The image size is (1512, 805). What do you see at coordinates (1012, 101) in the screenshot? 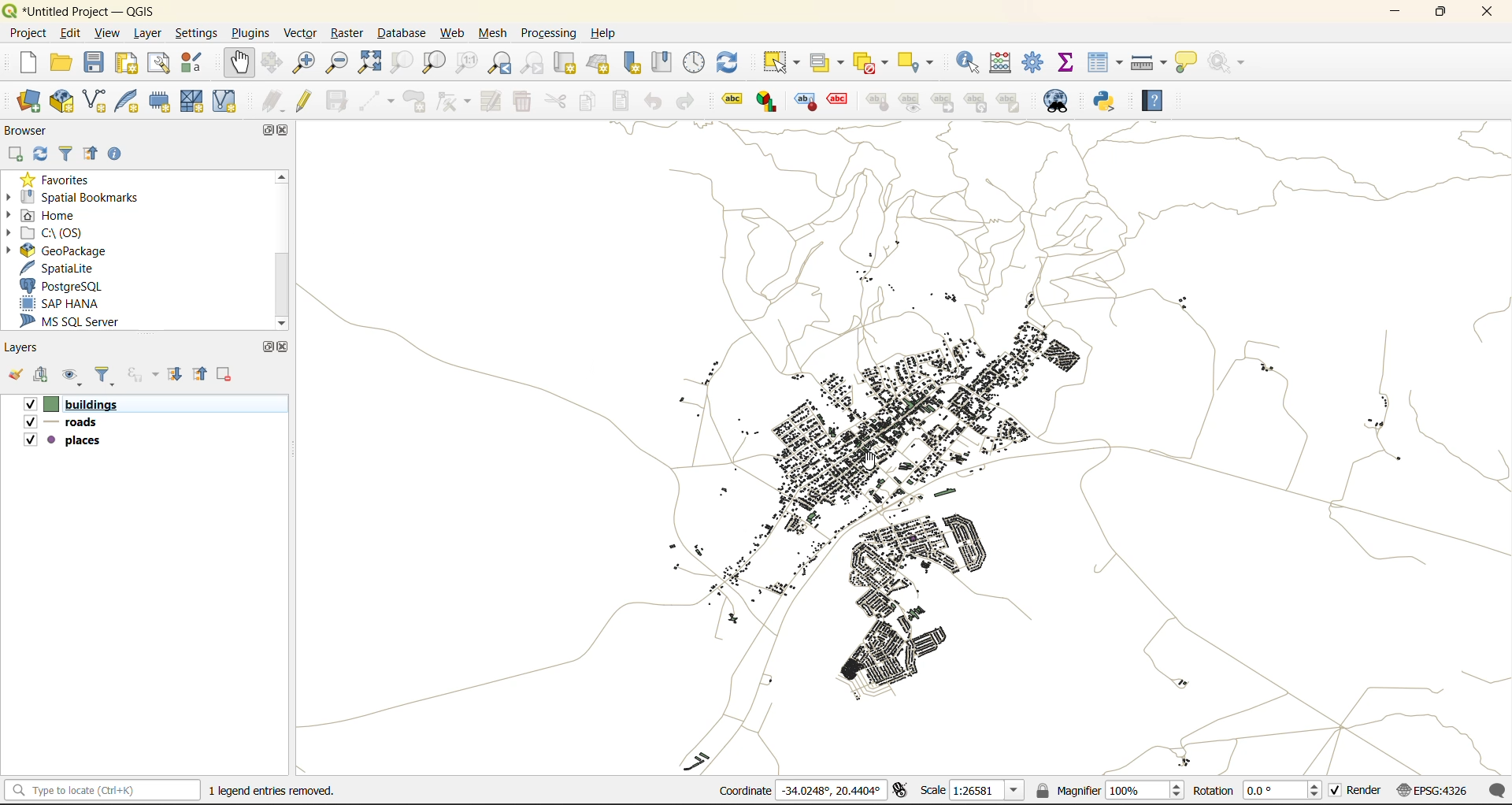
I see `Note label` at bounding box center [1012, 101].